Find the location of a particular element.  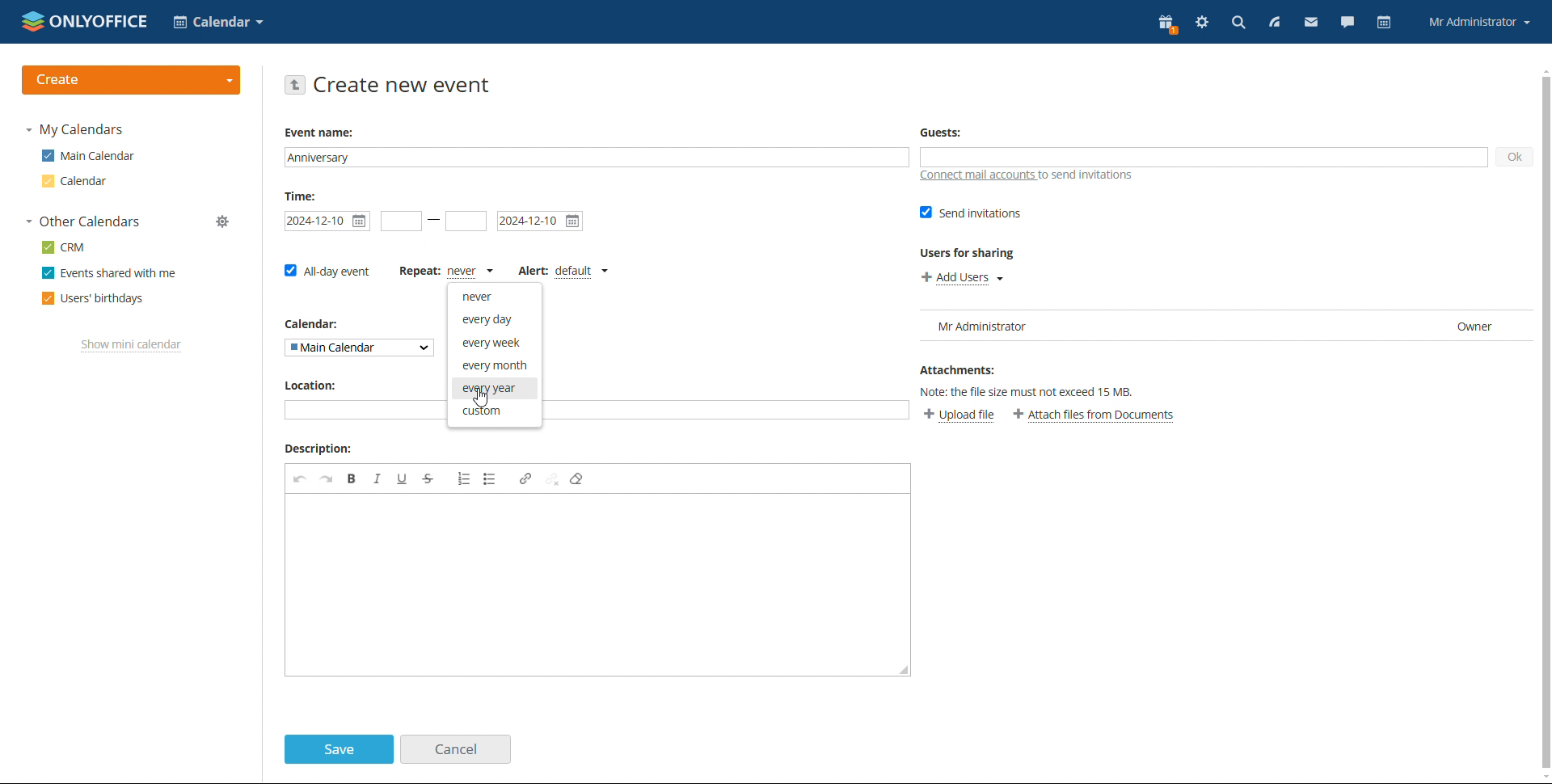

my calendar is located at coordinates (82, 131).